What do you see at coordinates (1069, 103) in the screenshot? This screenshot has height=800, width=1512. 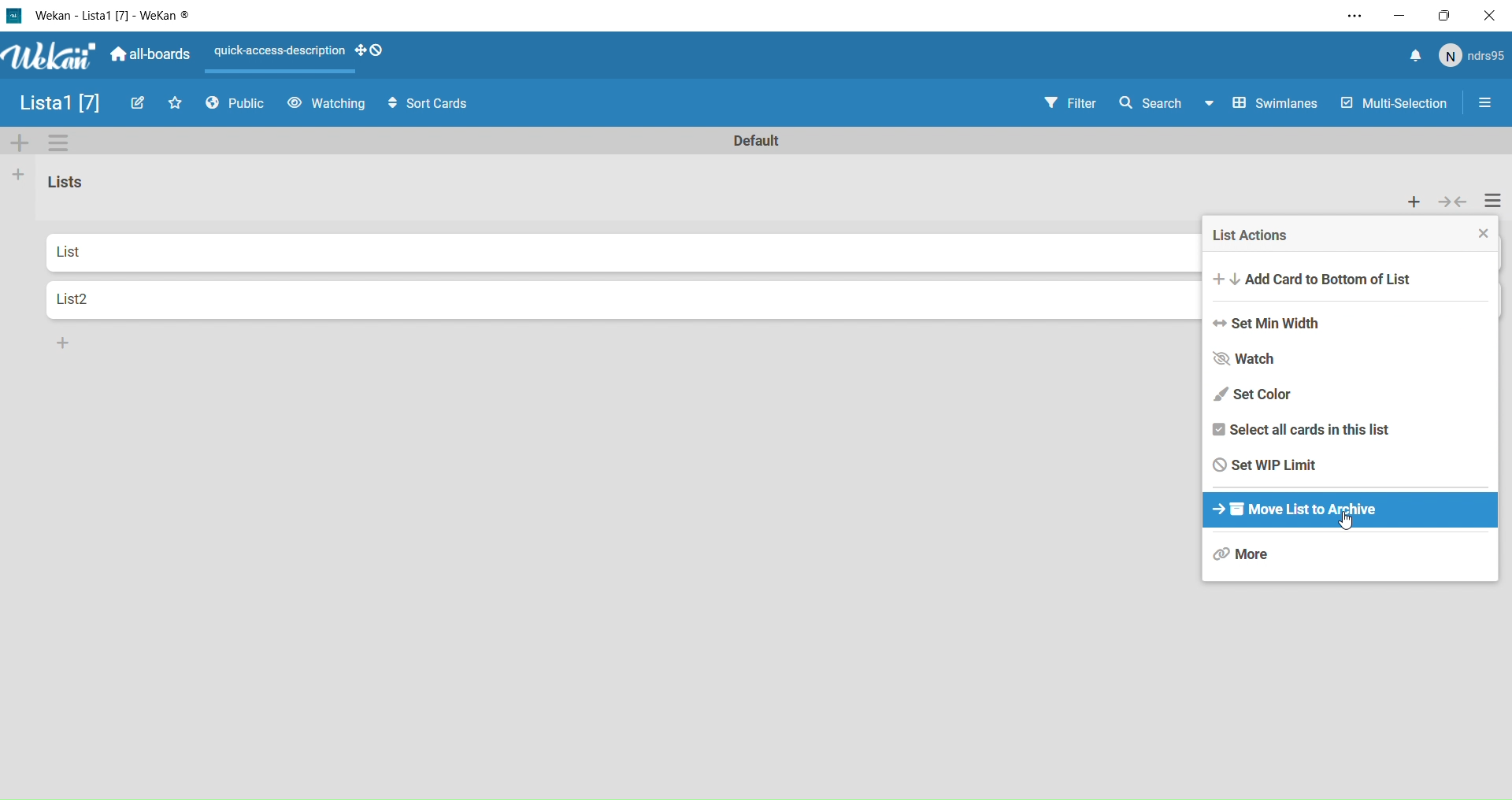 I see `Filter` at bounding box center [1069, 103].